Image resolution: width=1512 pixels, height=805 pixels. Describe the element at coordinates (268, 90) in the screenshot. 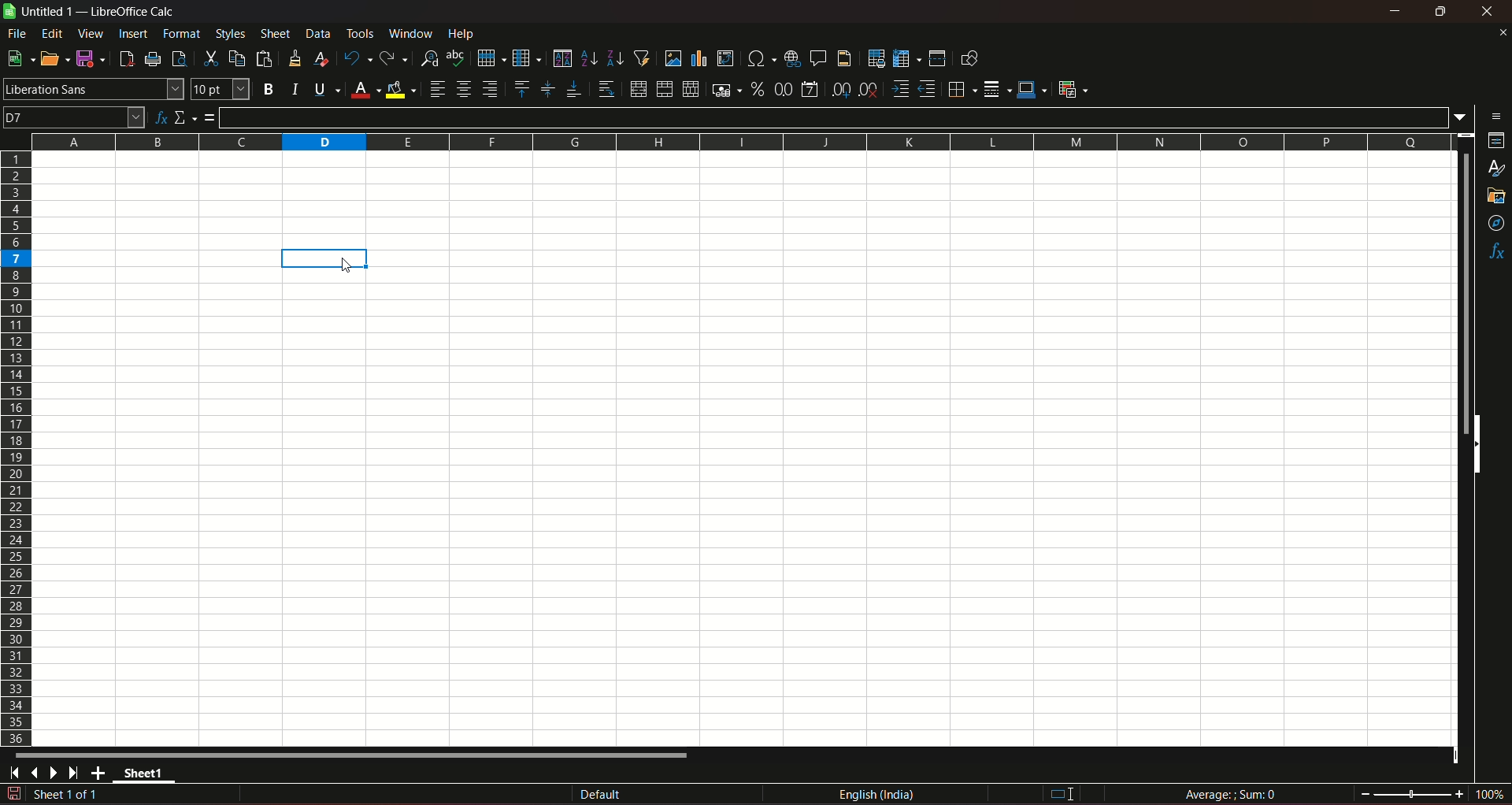

I see `bold` at that location.